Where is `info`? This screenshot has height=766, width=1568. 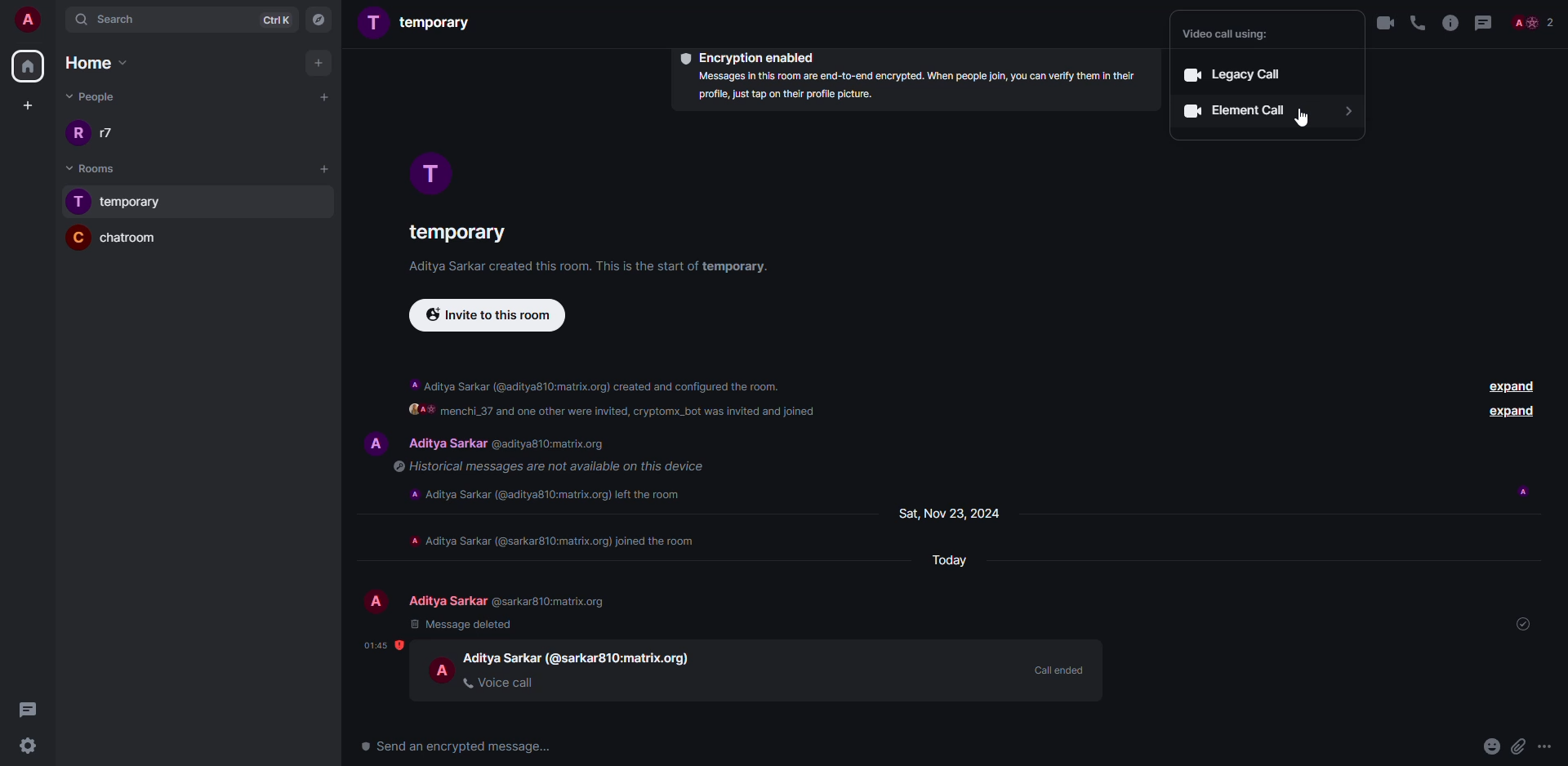 info is located at coordinates (913, 87).